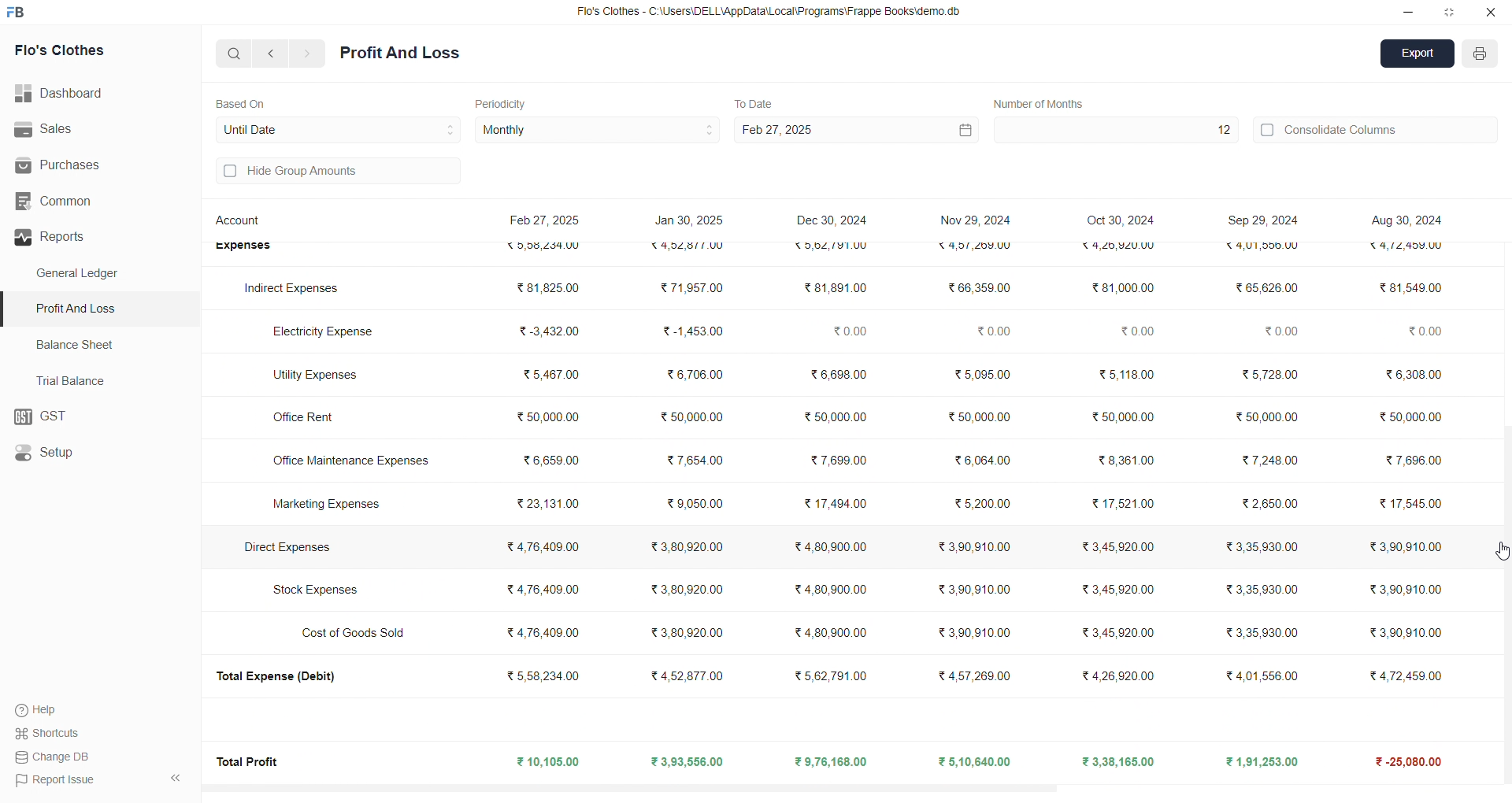  I want to click on 20.00, so click(1414, 332).